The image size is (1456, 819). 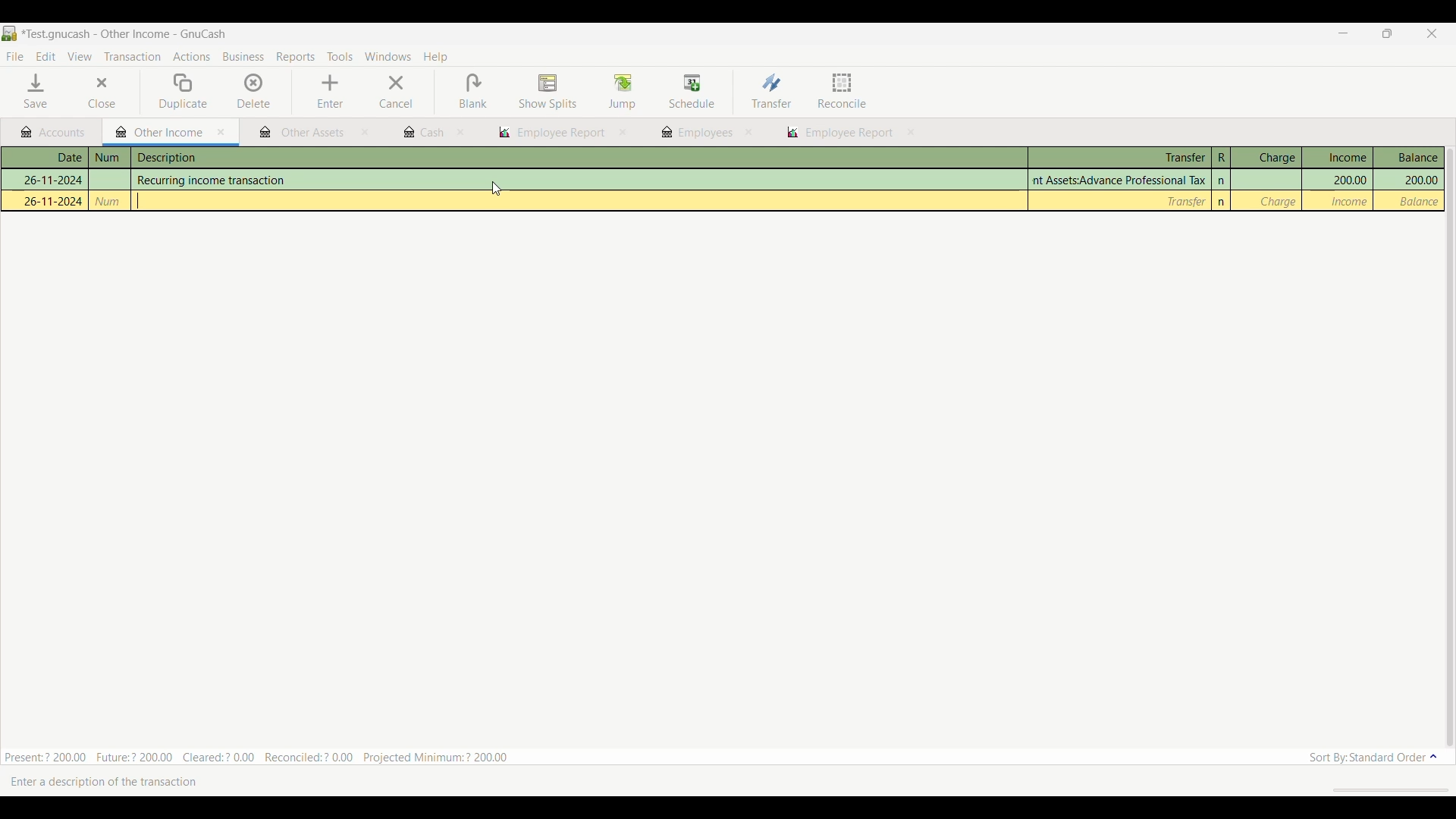 I want to click on Assets:Advance Professional Tax, so click(x=1122, y=180).